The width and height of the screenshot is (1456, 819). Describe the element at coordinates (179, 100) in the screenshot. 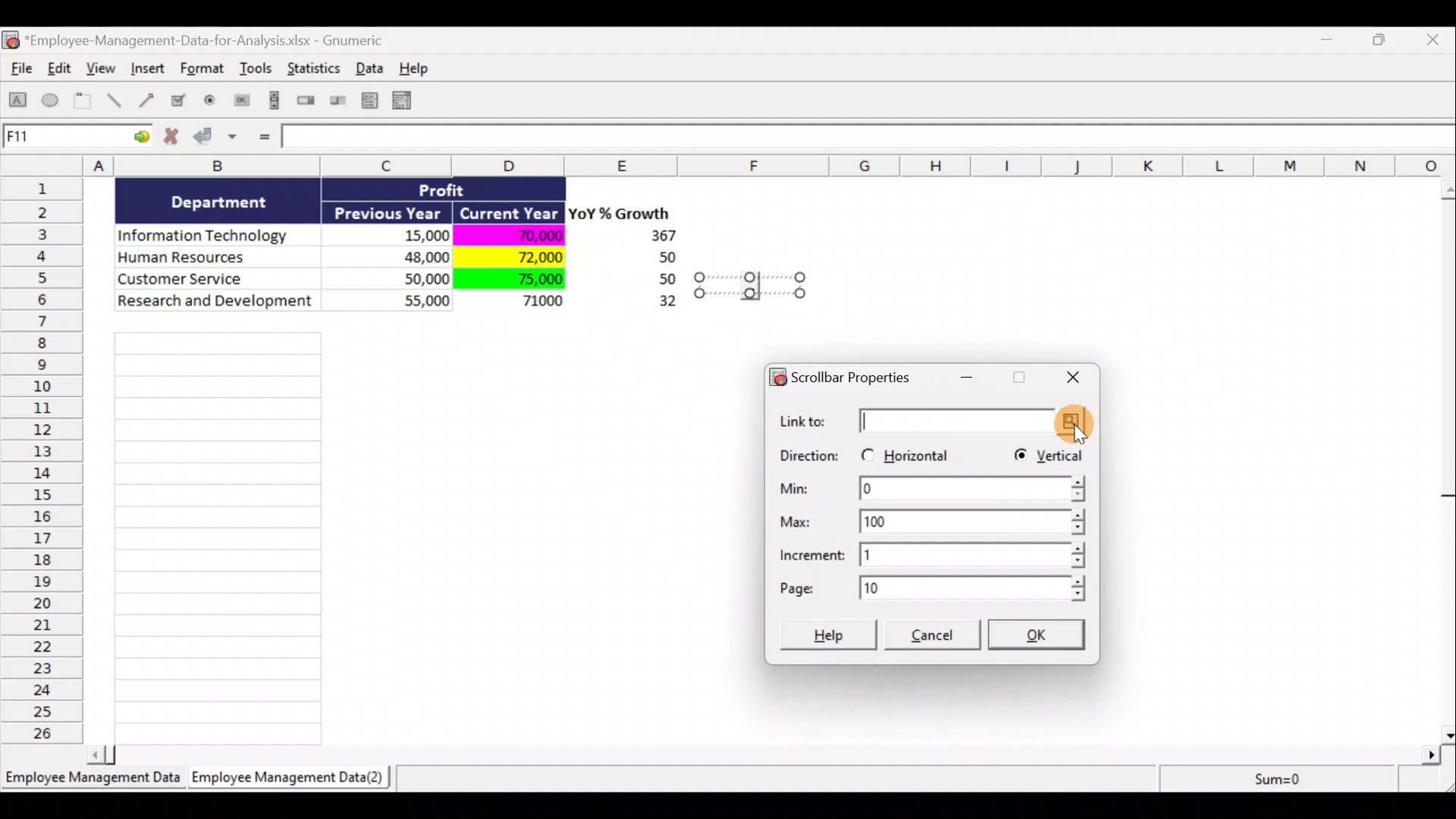

I see `Create a checkbox` at that location.